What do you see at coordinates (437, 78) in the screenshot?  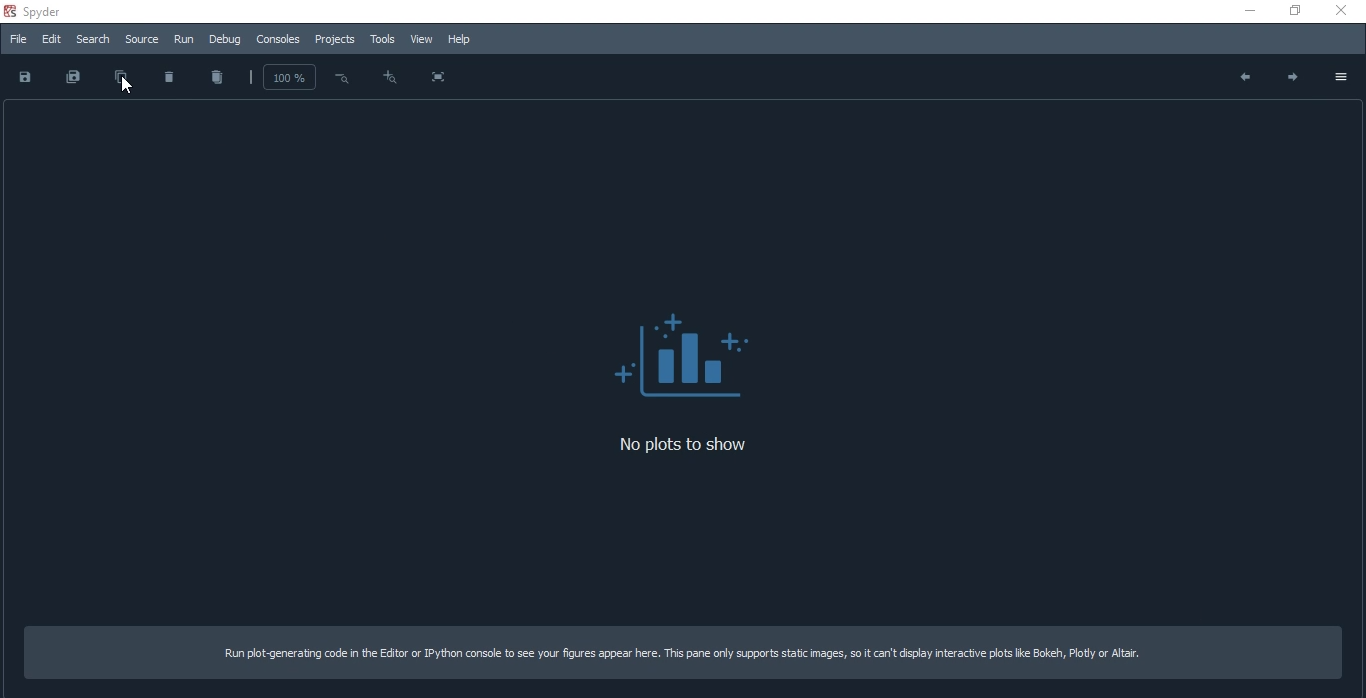 I see `fullscreen` at bounding box center [437, 78].